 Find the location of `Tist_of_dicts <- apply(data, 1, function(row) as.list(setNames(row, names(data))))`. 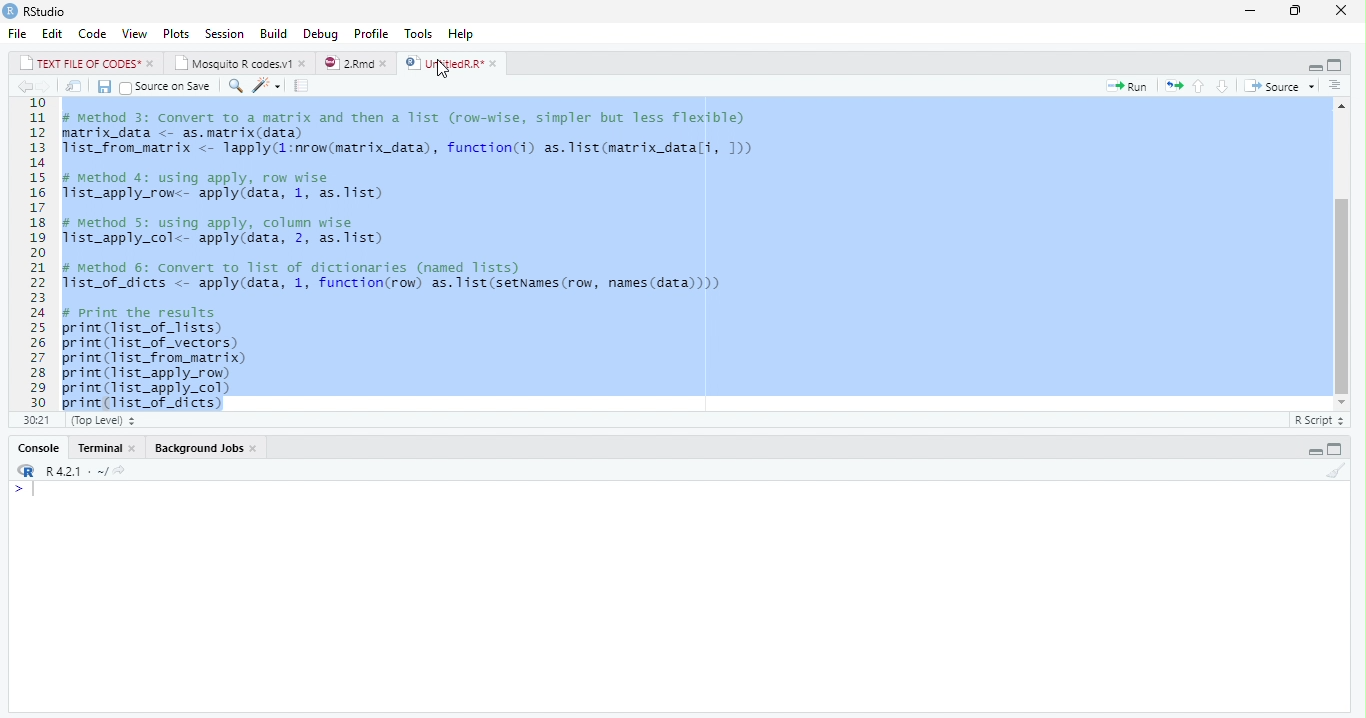

Tist_of_dicts <- apply(data, 1, function(row) as.list(setNames(row, names(data)))) is located at coordinates (421, 285).